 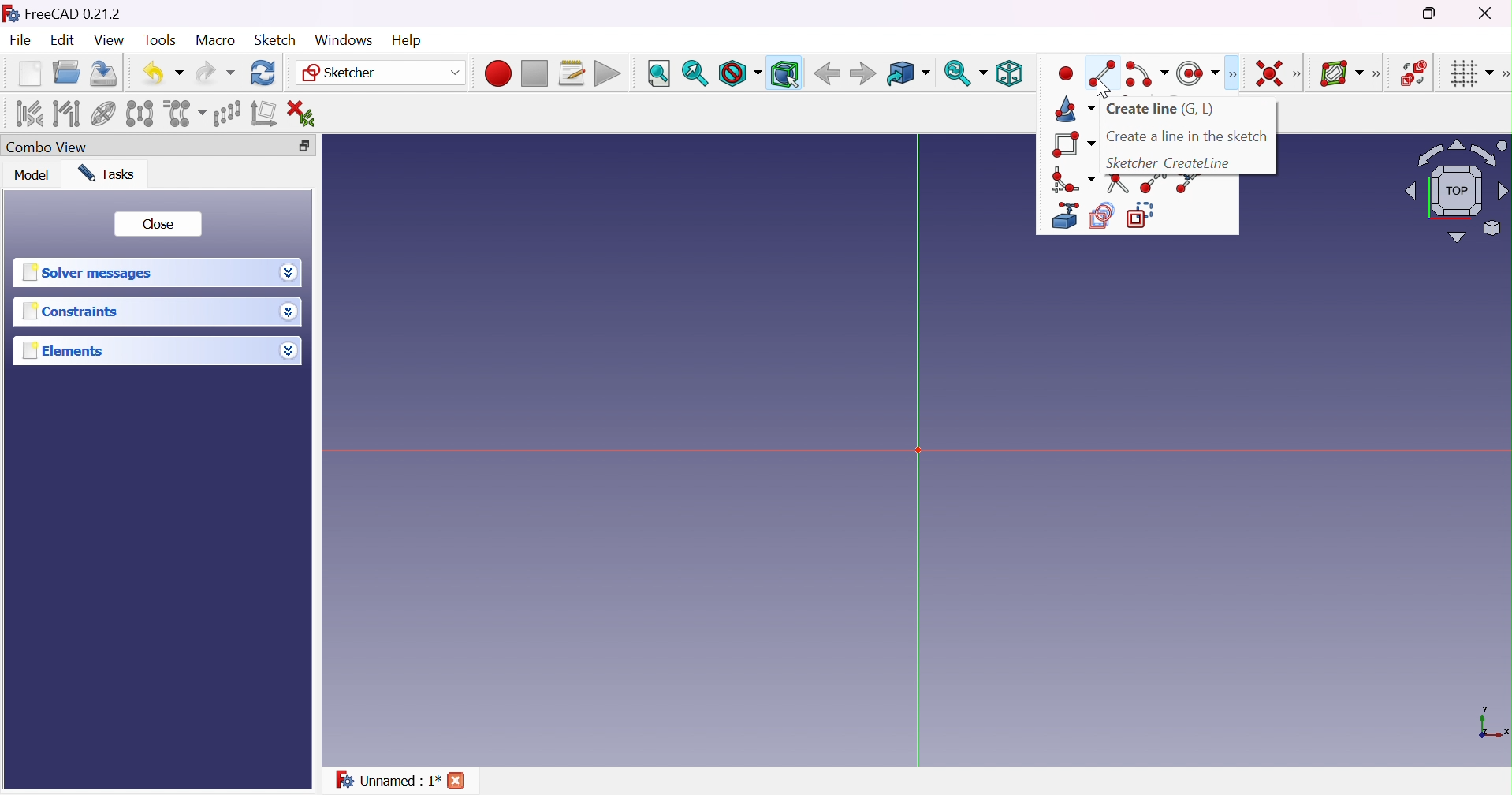 What do you see at coordinates (92, 272) in the screenshot?
I see `Solver messages` at bounding box center [92, 272].